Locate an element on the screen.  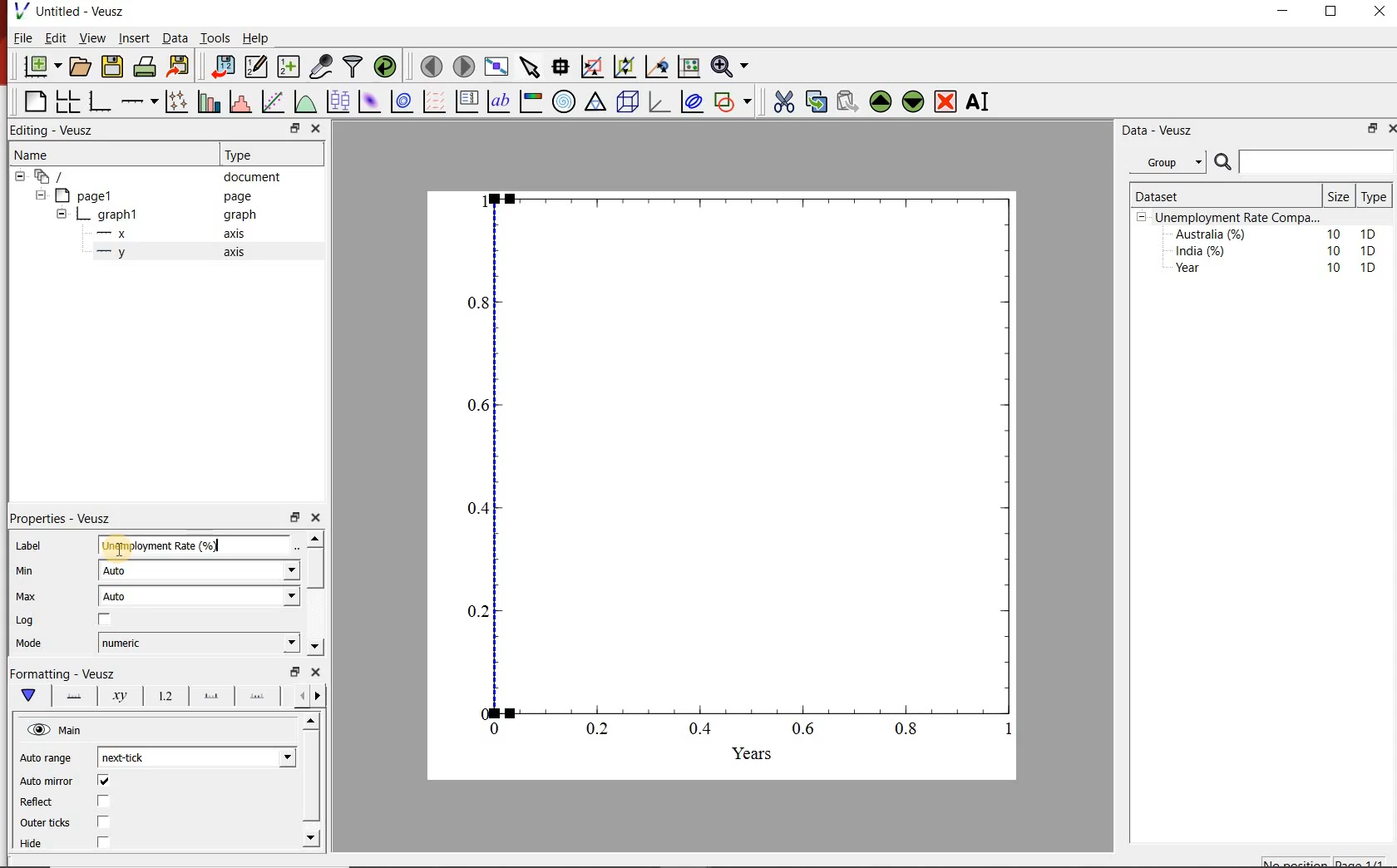
base graphs is located at coordinates (101, 101).